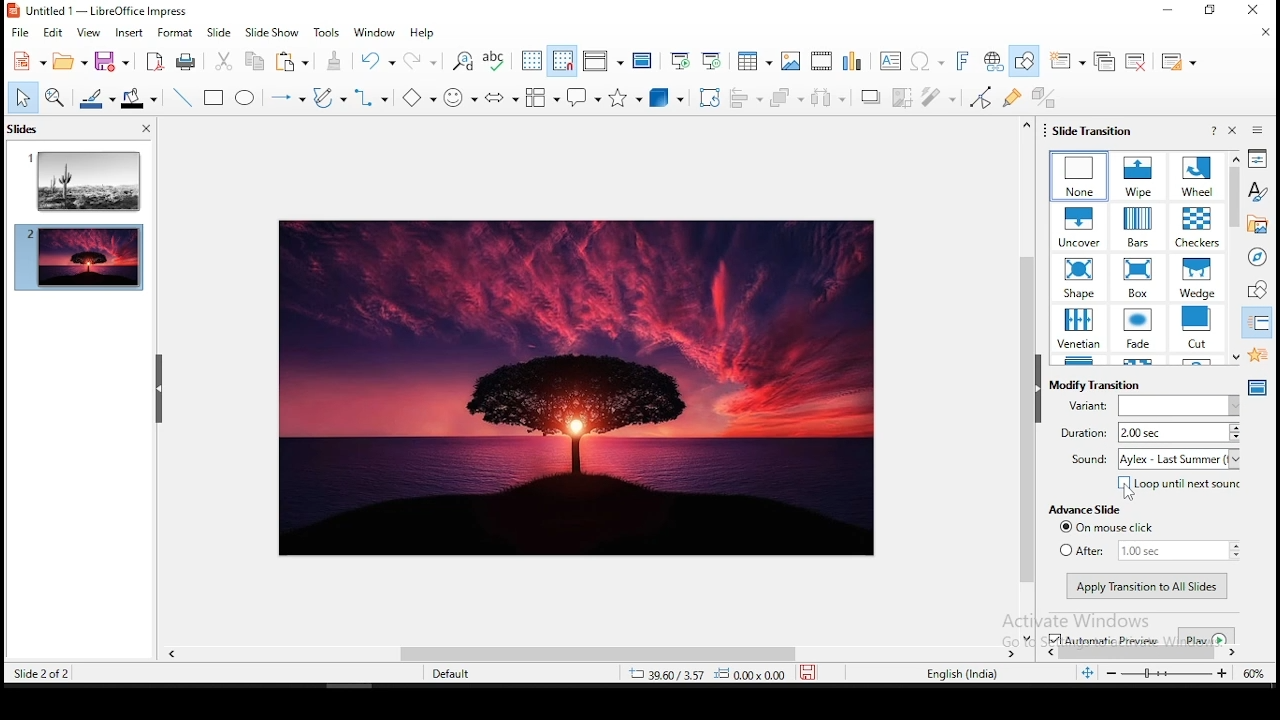  Describe the element at coordinates (79, 259) in the screenshot. I see `slide2 ` at that location.